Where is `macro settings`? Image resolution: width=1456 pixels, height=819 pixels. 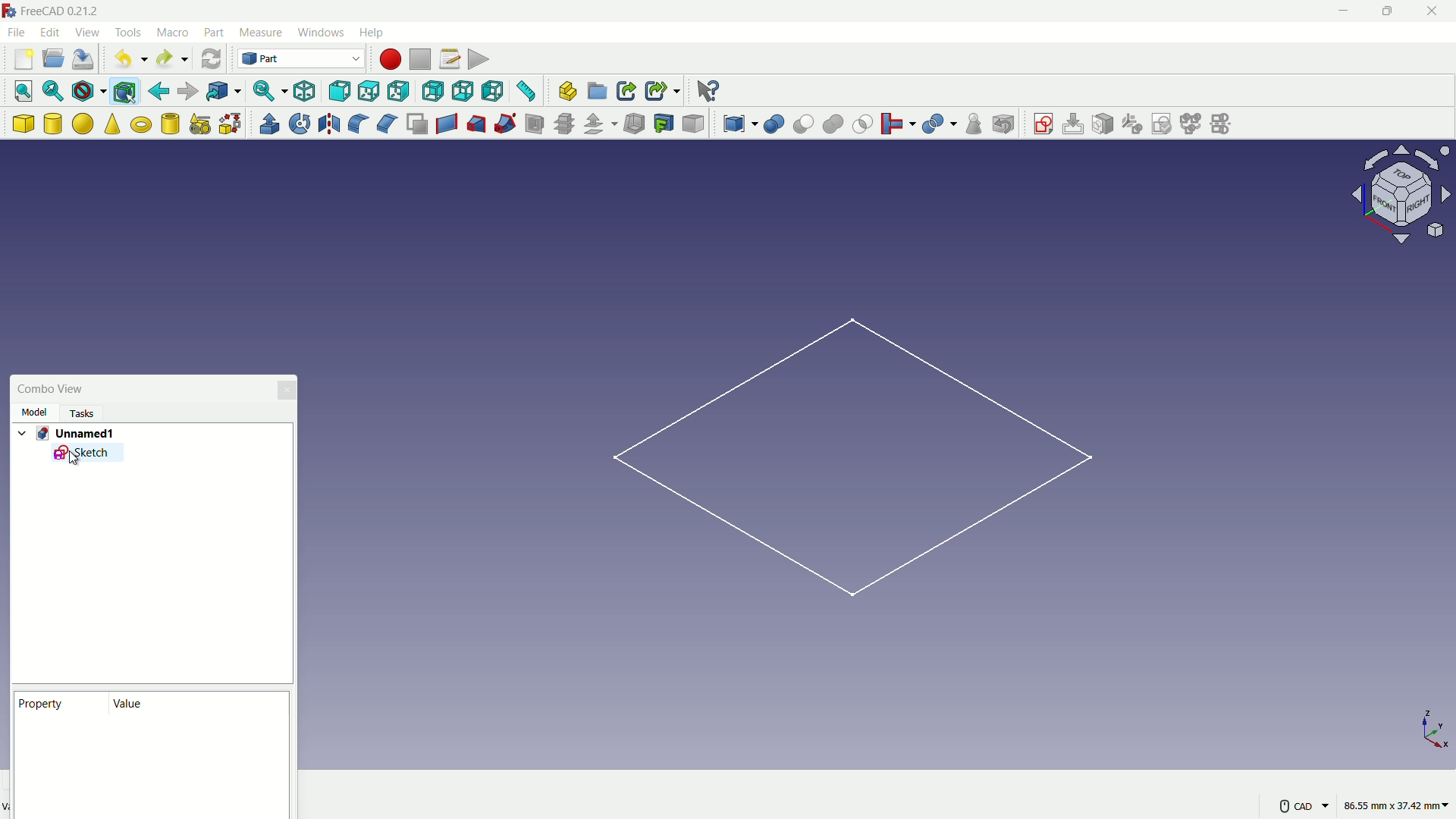
macro settings is located at coordinates (450, 59).